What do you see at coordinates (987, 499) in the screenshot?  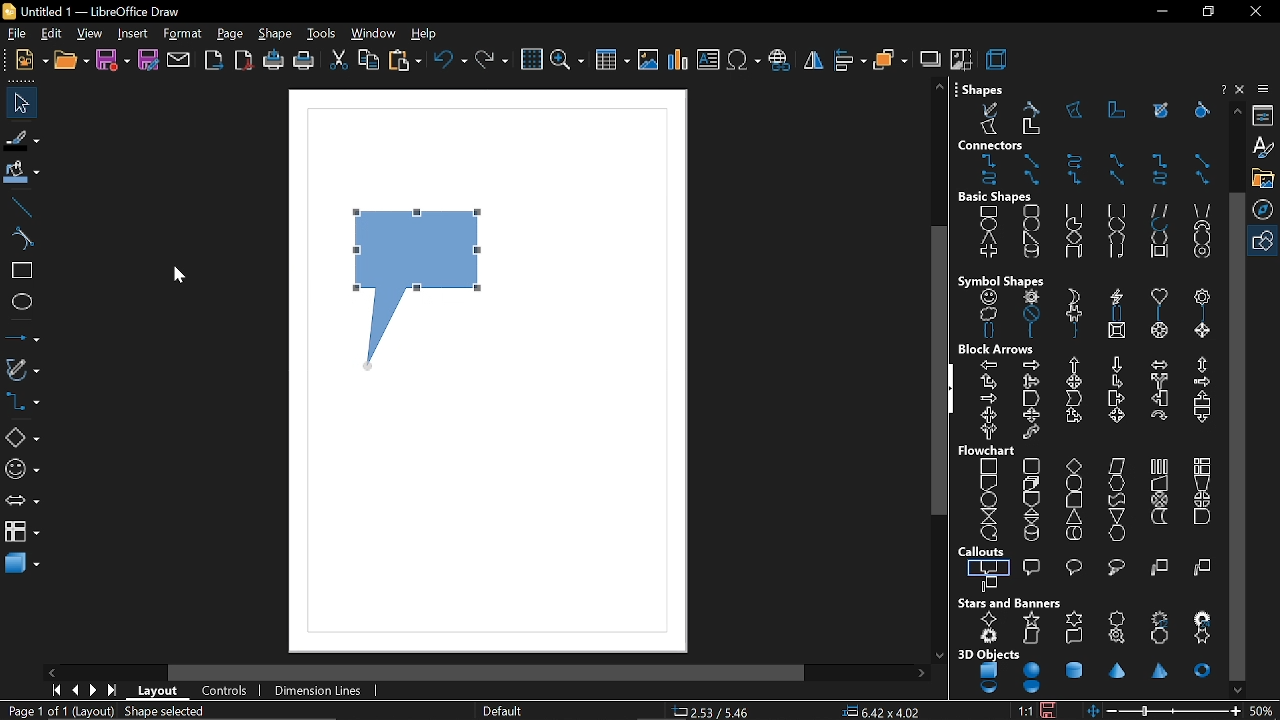 I see `connector` at bounding box center [987, 499].